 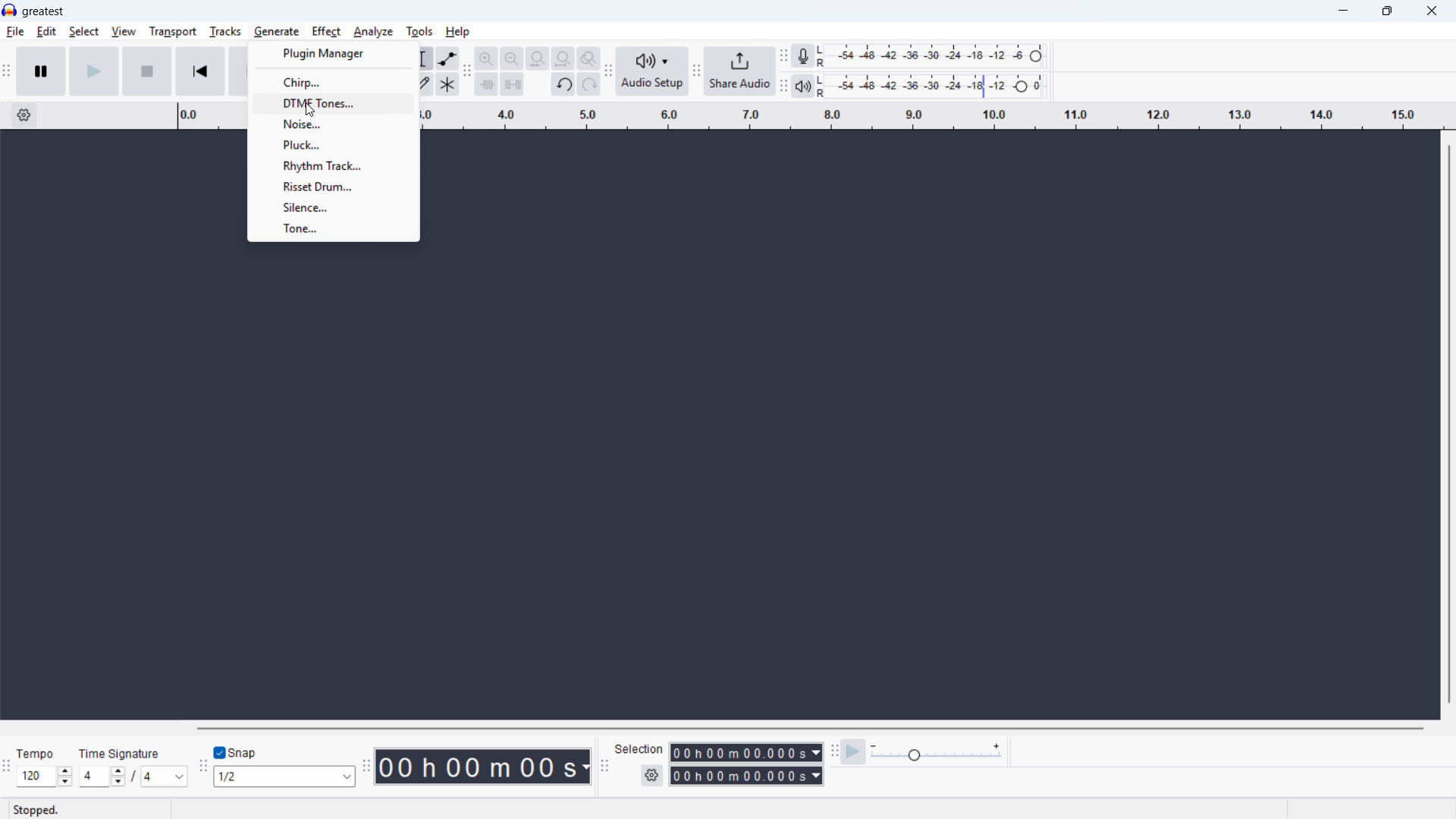 What do you see at coordinates (783, 56) in the screenshot?
I see `recording meter toolbar` at bounding box center [783, 56].